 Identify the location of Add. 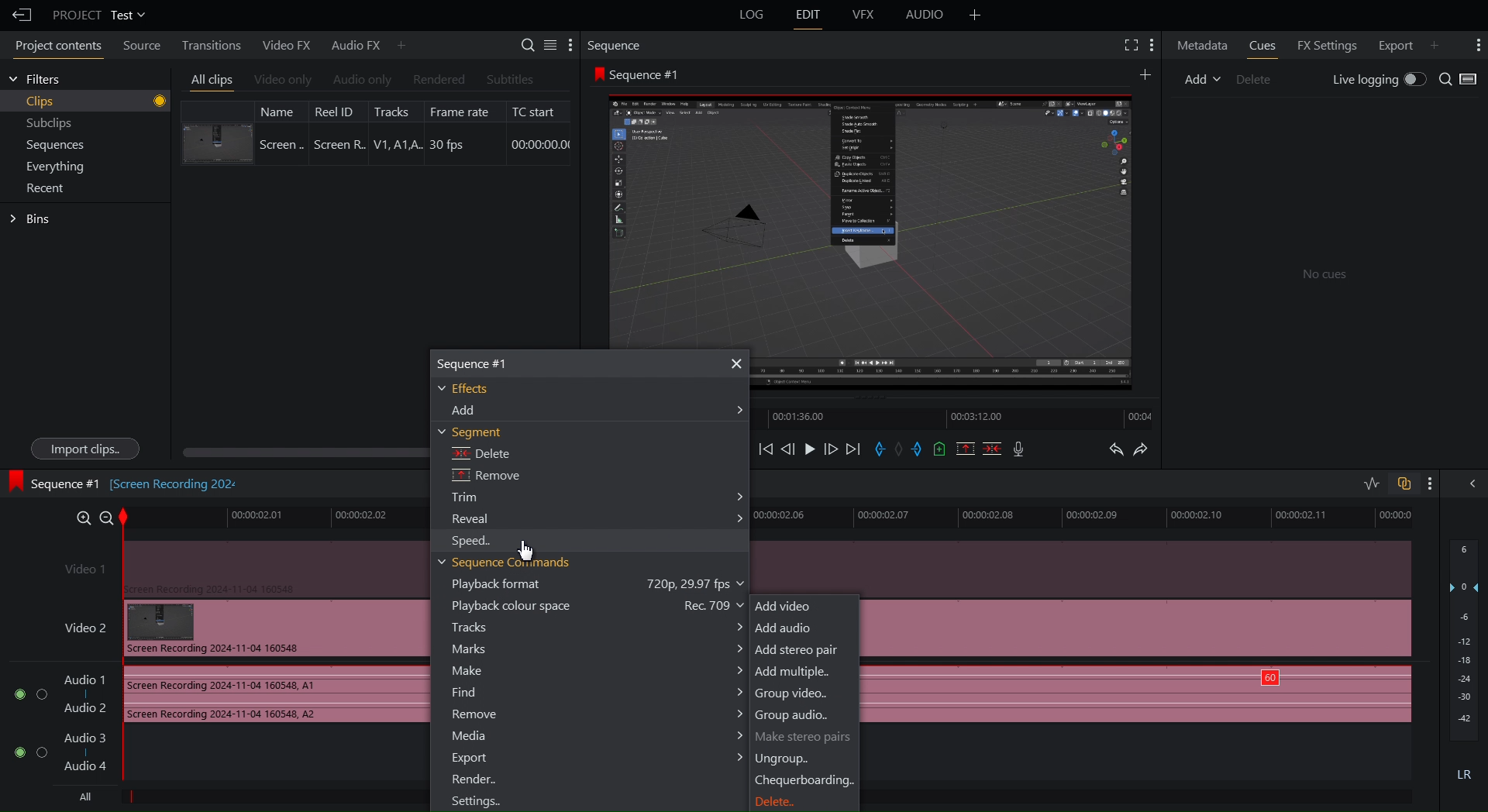
(1202, 77).